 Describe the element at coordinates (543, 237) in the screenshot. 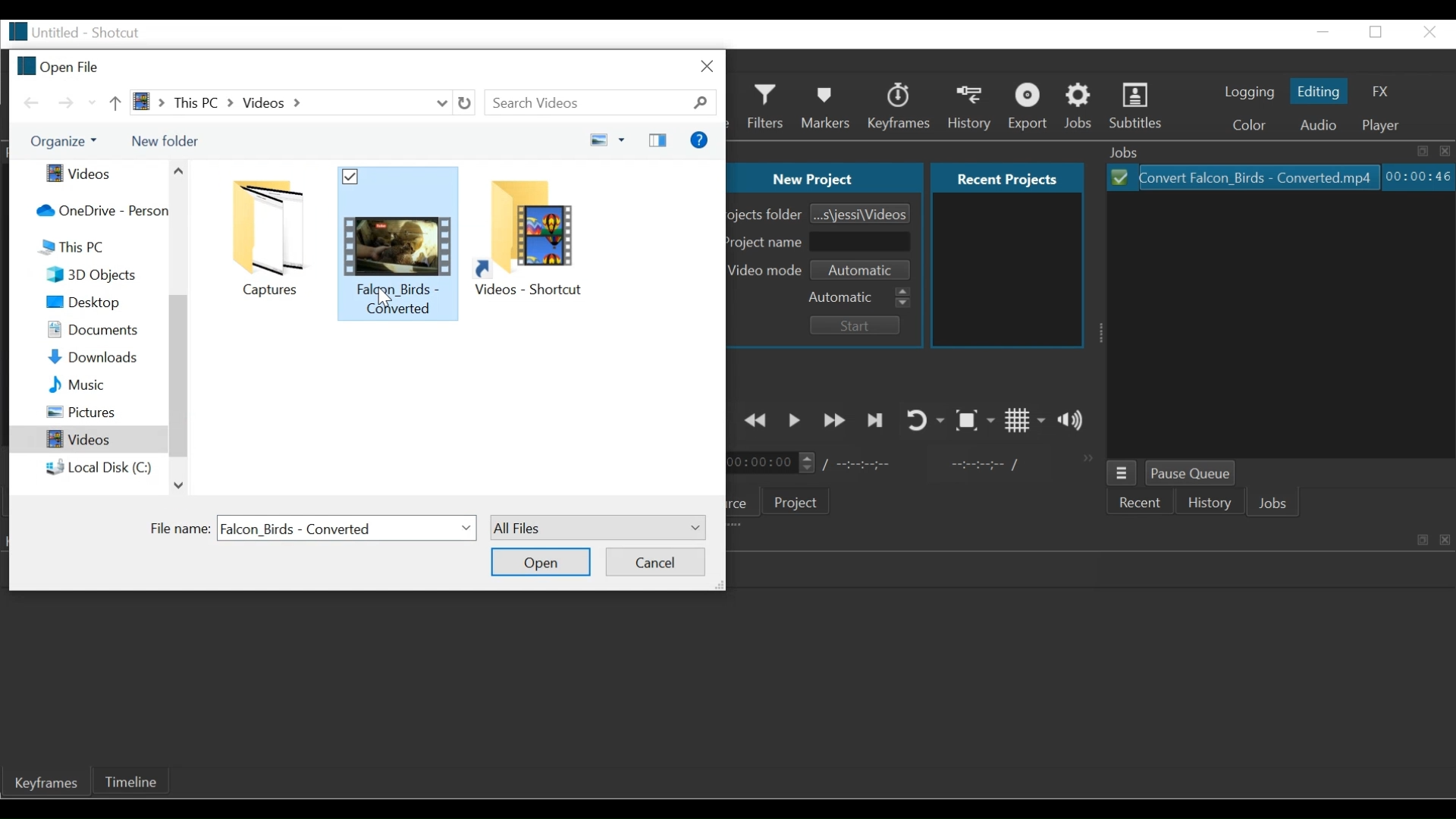

I see `folder` at that location.